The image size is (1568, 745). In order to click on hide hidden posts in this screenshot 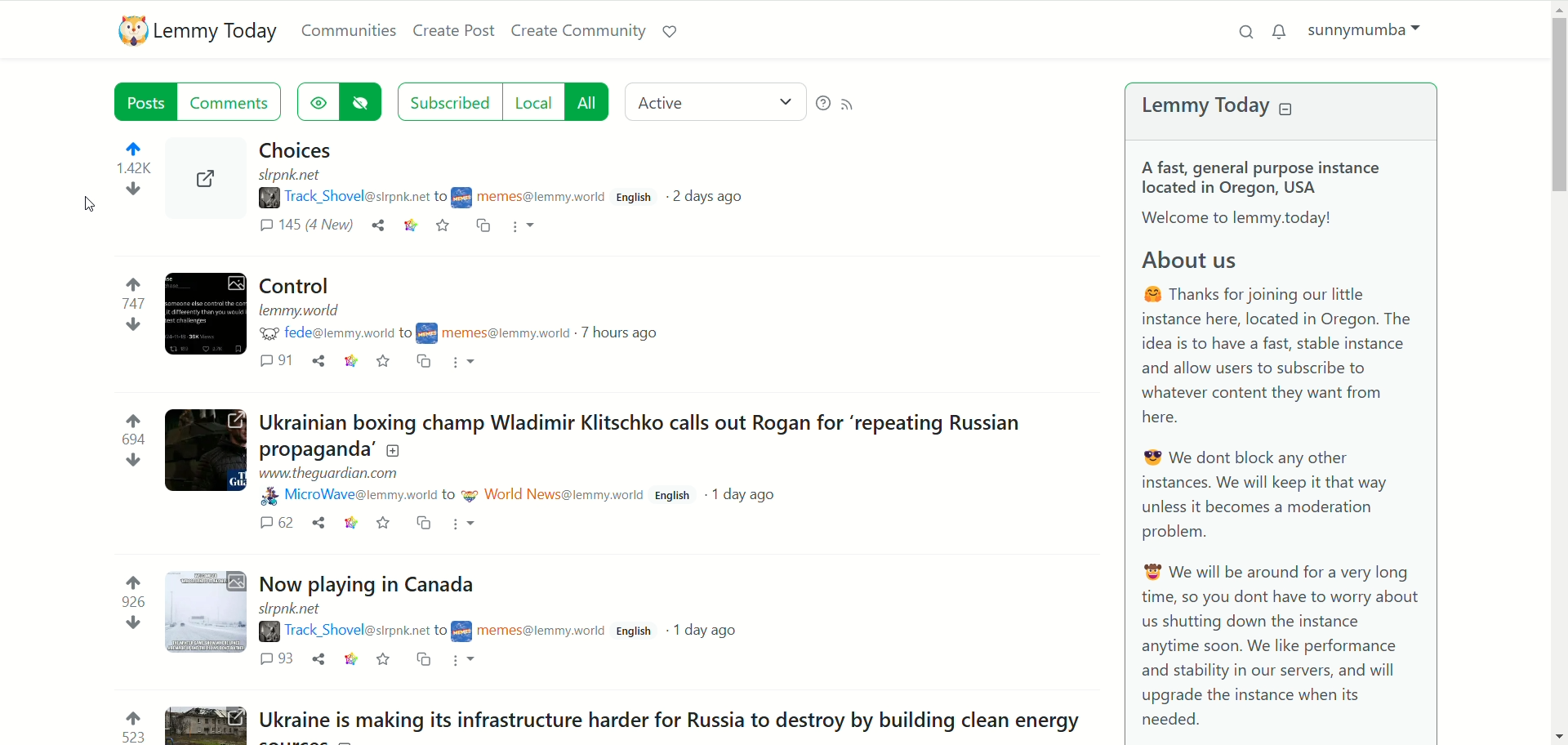, I will do `click(363, 101)`.